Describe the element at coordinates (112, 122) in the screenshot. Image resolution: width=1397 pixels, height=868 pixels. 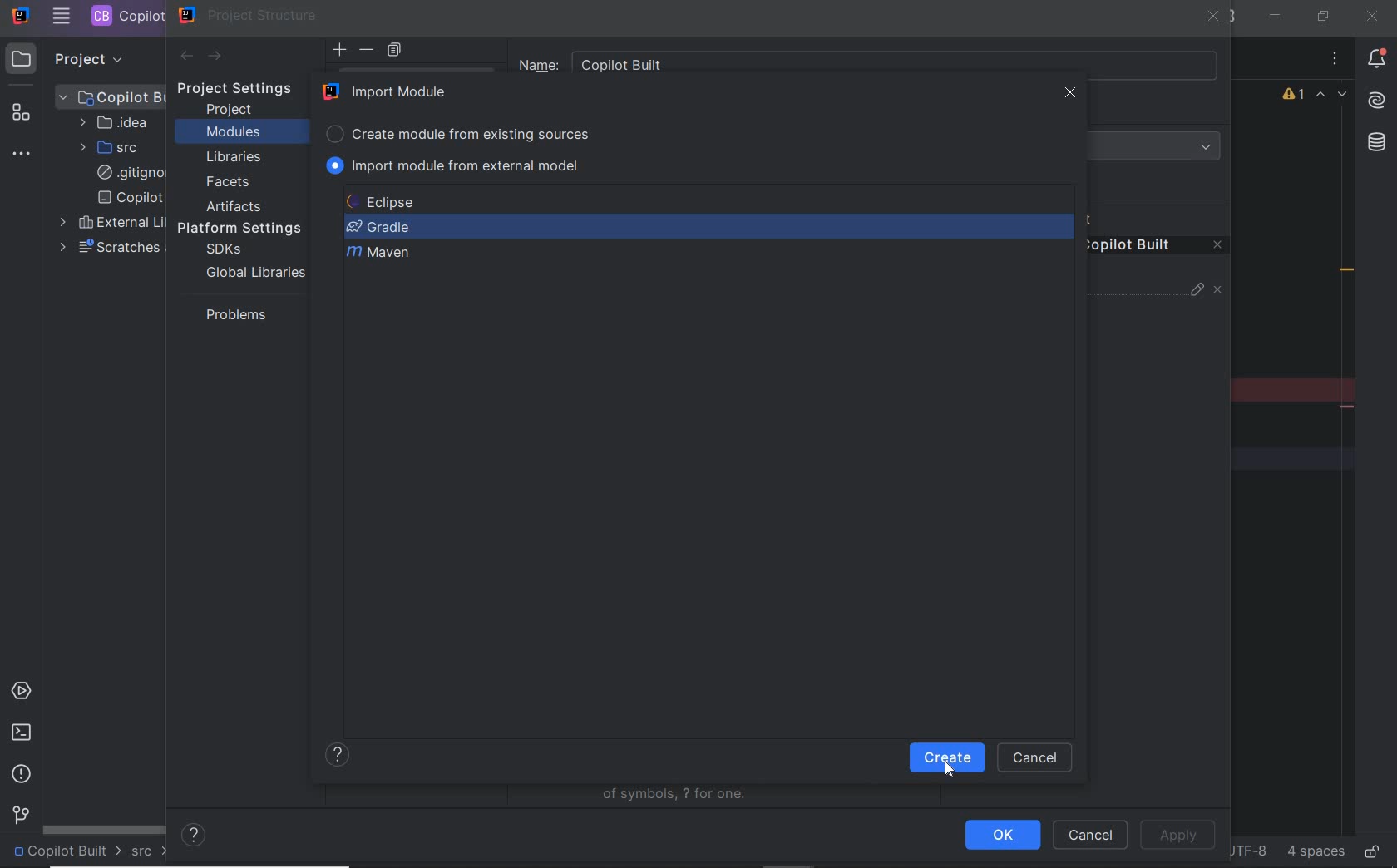
I see `IDEA` at that location.